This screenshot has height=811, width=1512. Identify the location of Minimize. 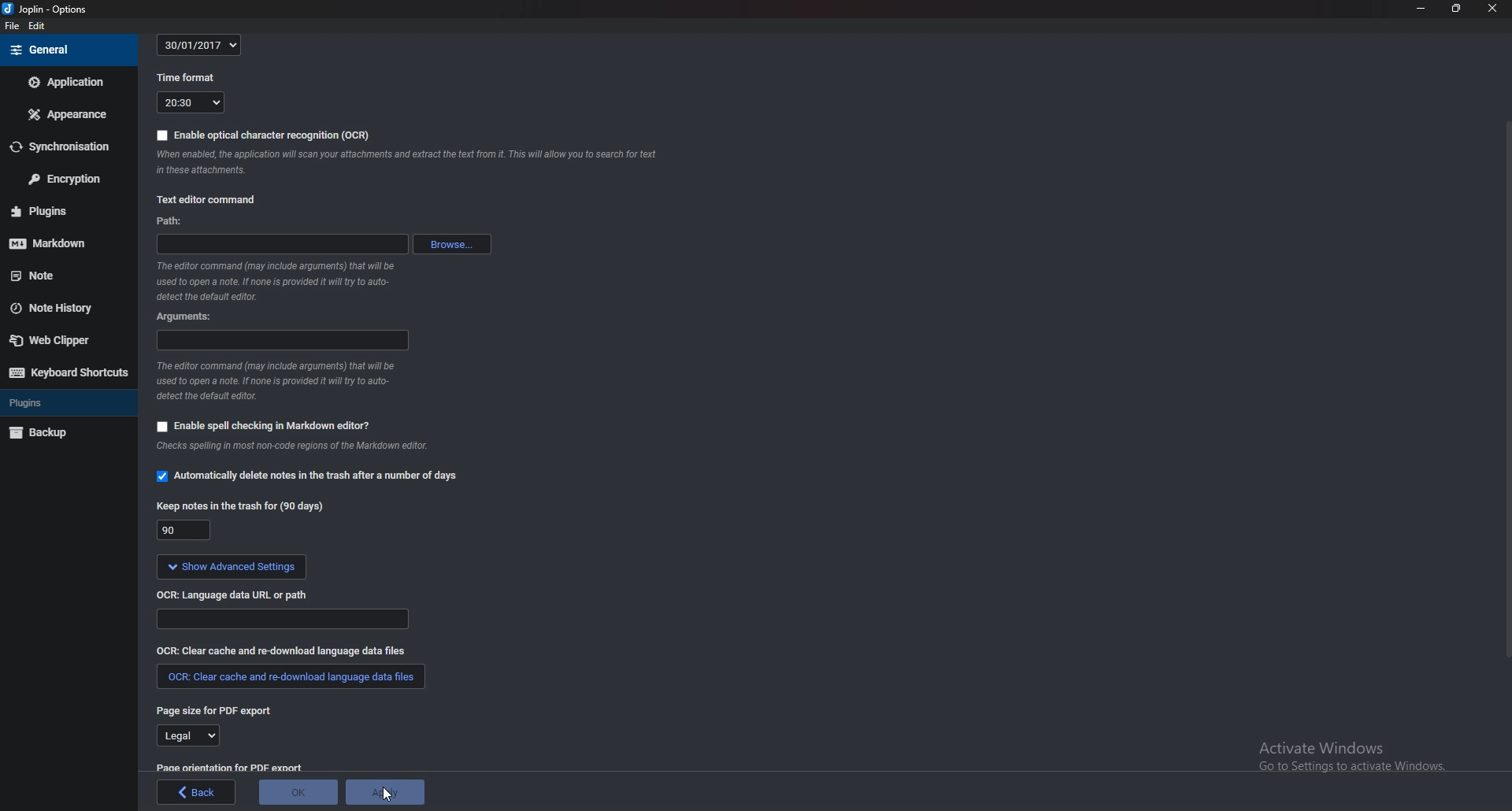
(1421, 9).